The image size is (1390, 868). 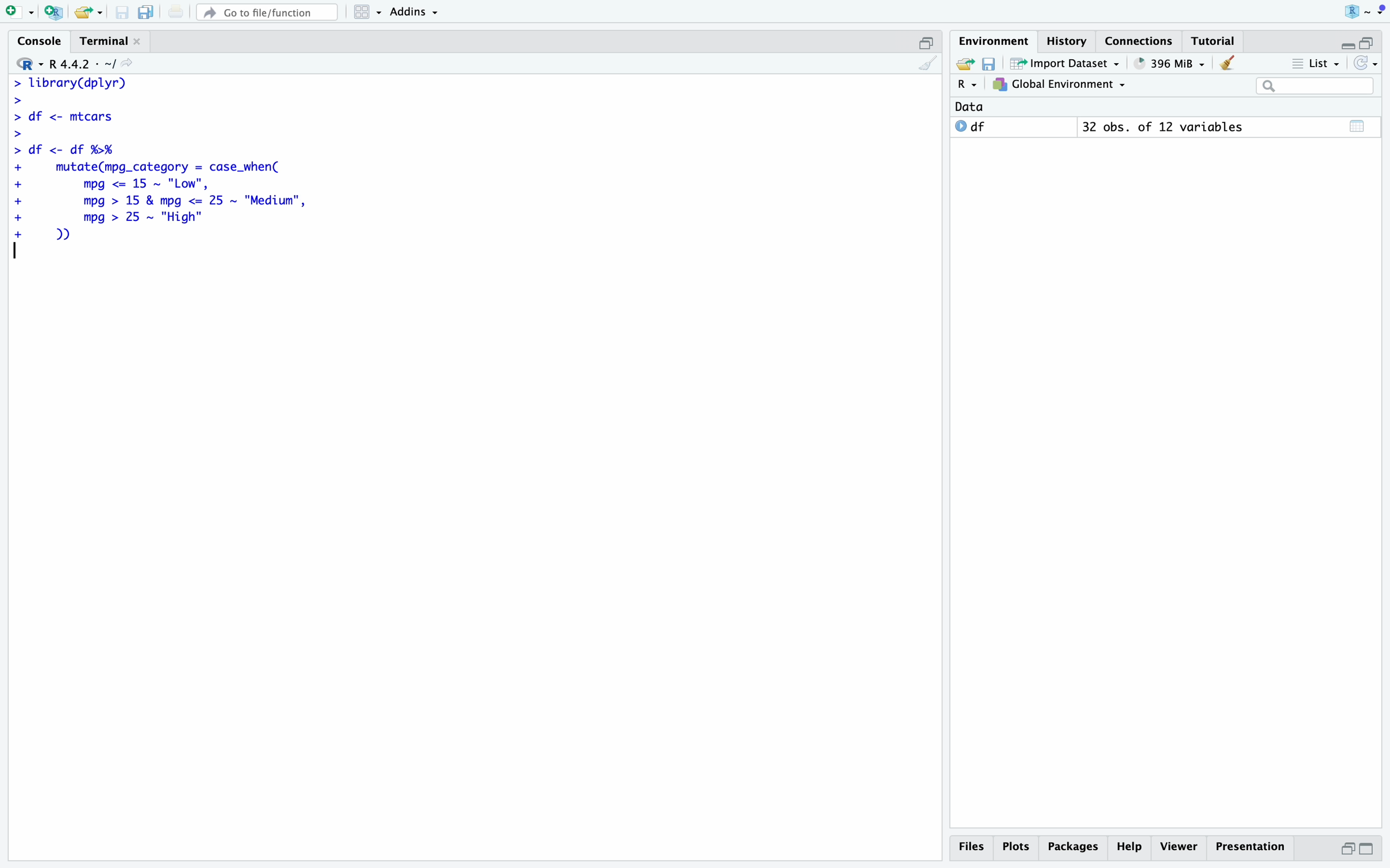 I want to click on add R file, so click(x=54, y=12).